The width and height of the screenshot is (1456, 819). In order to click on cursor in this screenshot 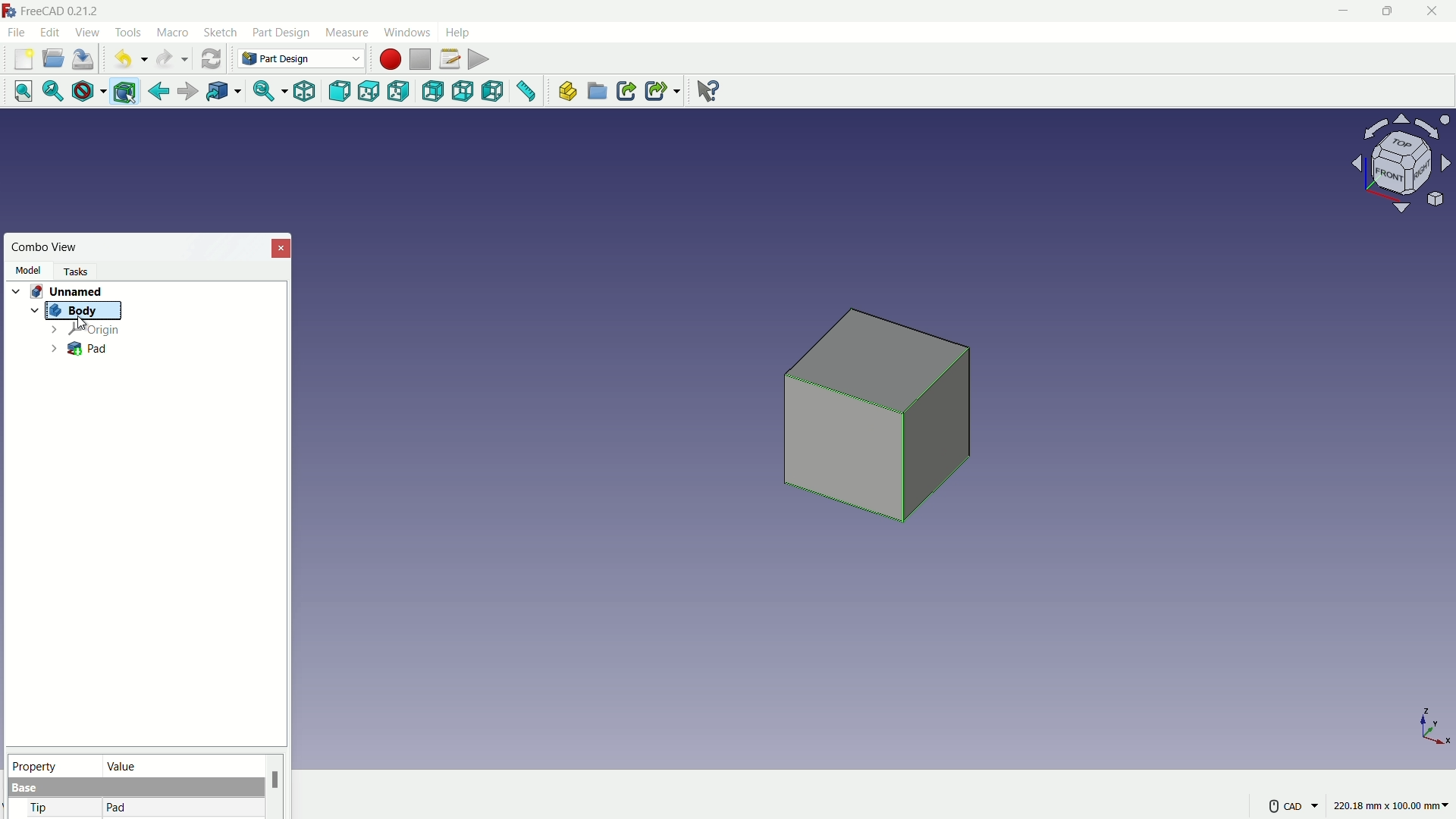, I will do `click(82, 324)`.